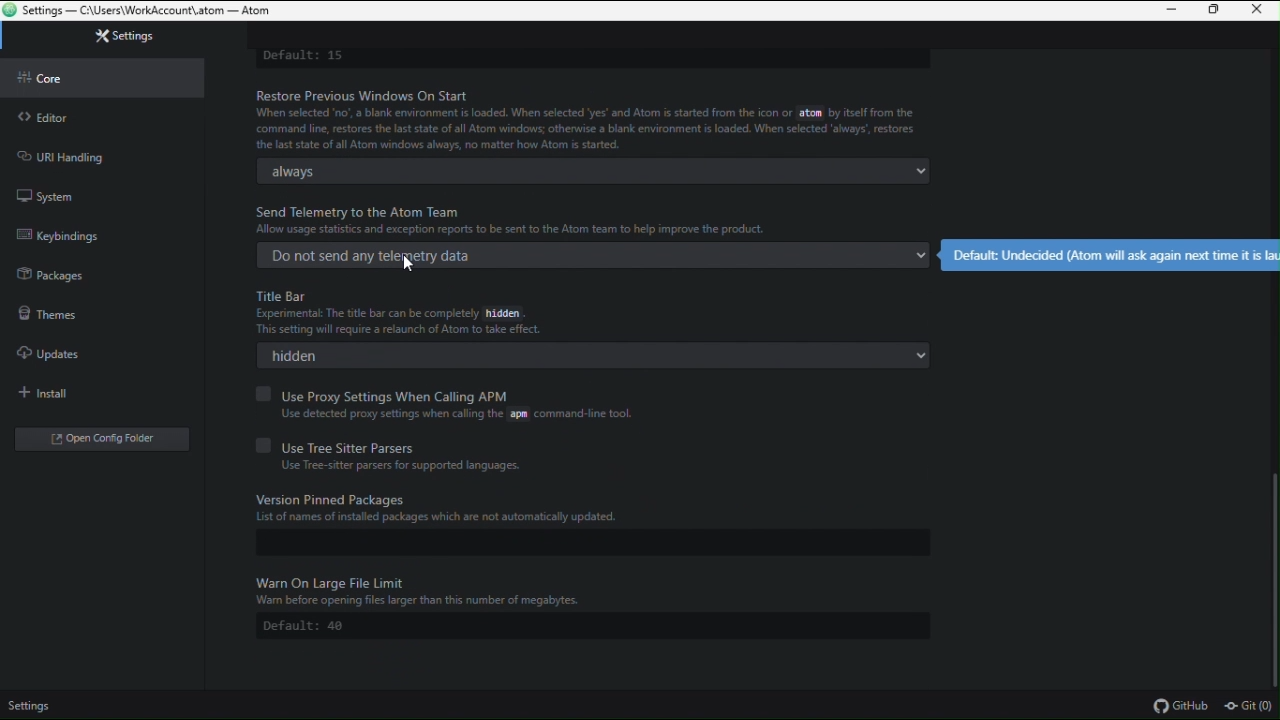 The width and height of the screenshot is (1280, 720). What do you see at coordinates (308, 53) in the screenshot?
I see `default:15` at bounding box center [308, 53].